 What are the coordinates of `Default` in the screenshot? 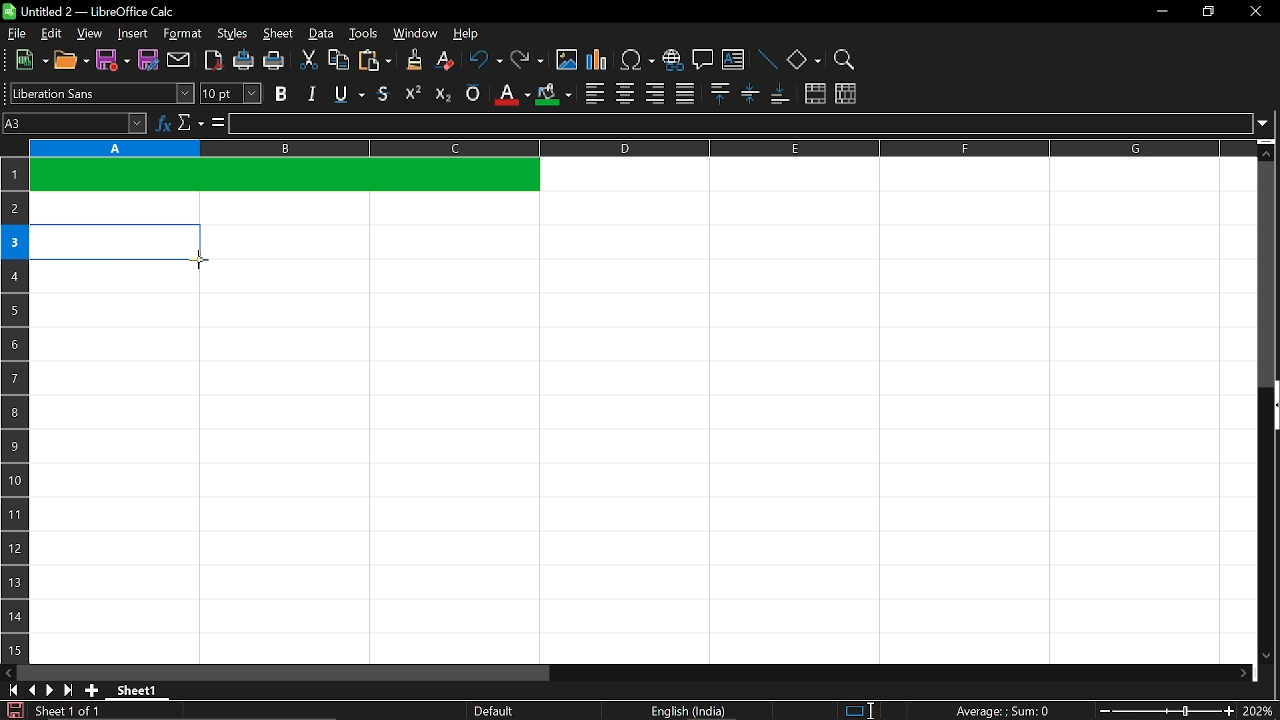 It's located at (497, 711).